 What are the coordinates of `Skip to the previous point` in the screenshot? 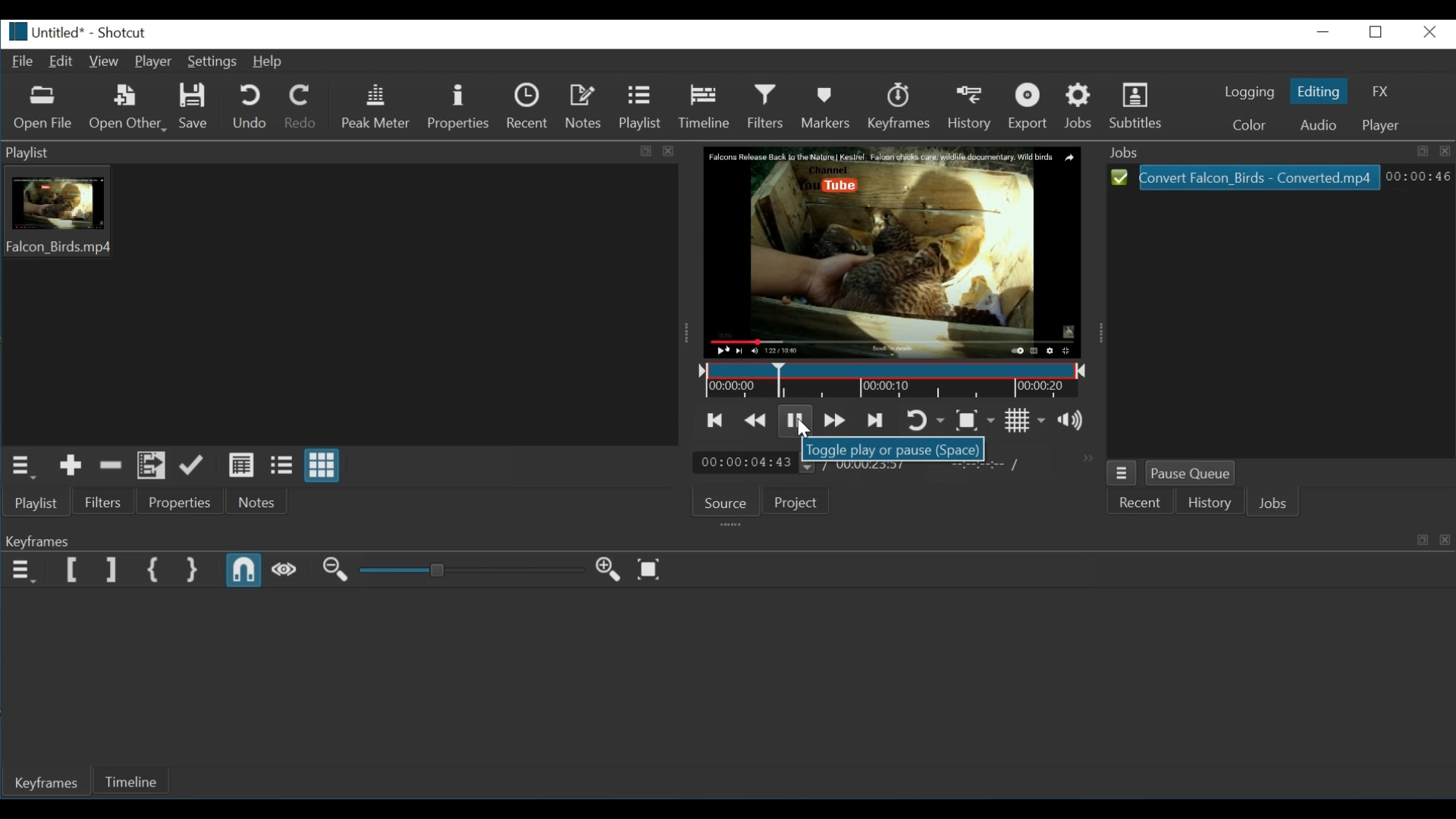 It's located at (716, 420).